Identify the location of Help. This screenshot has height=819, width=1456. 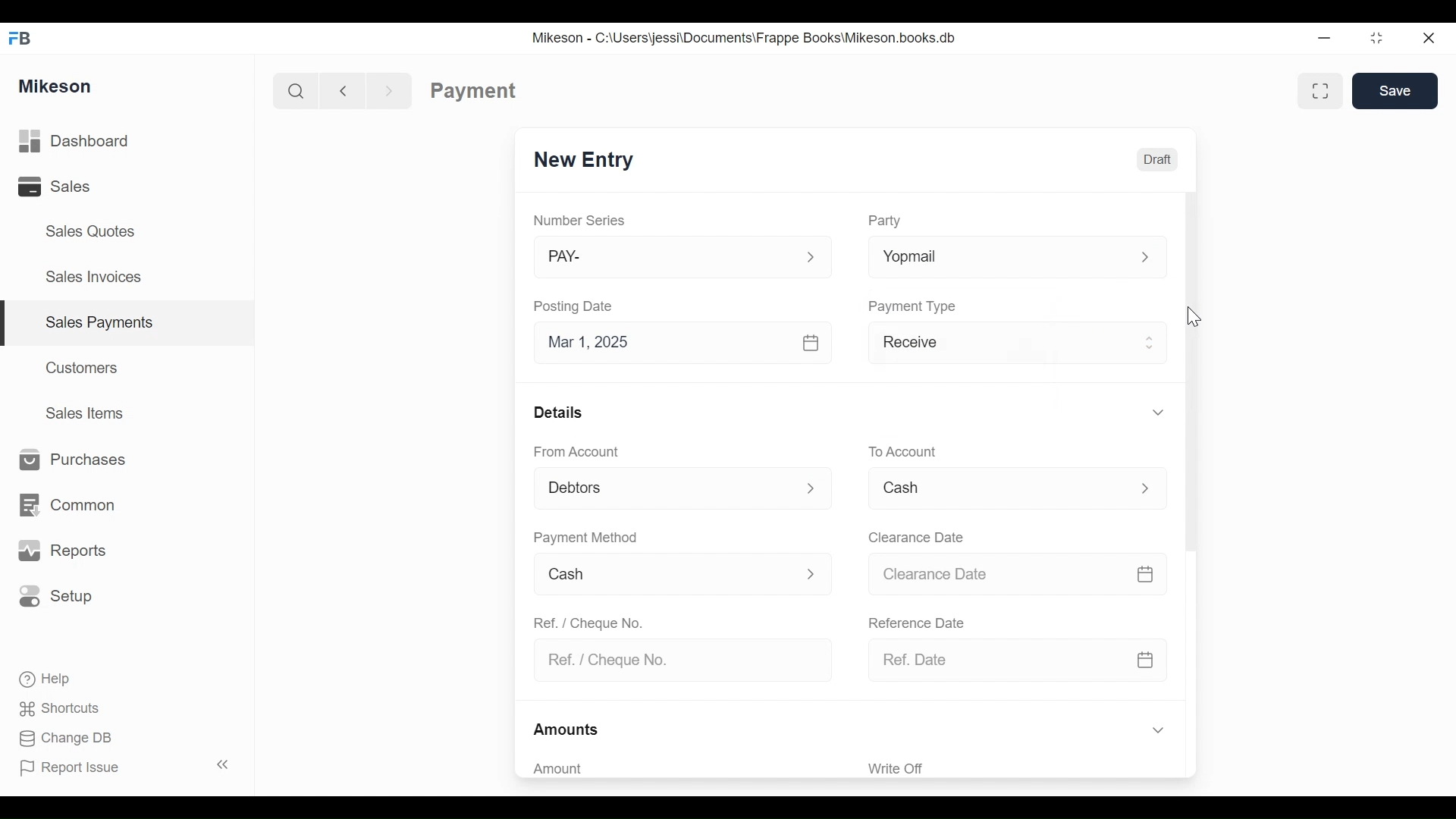
(56, 679).